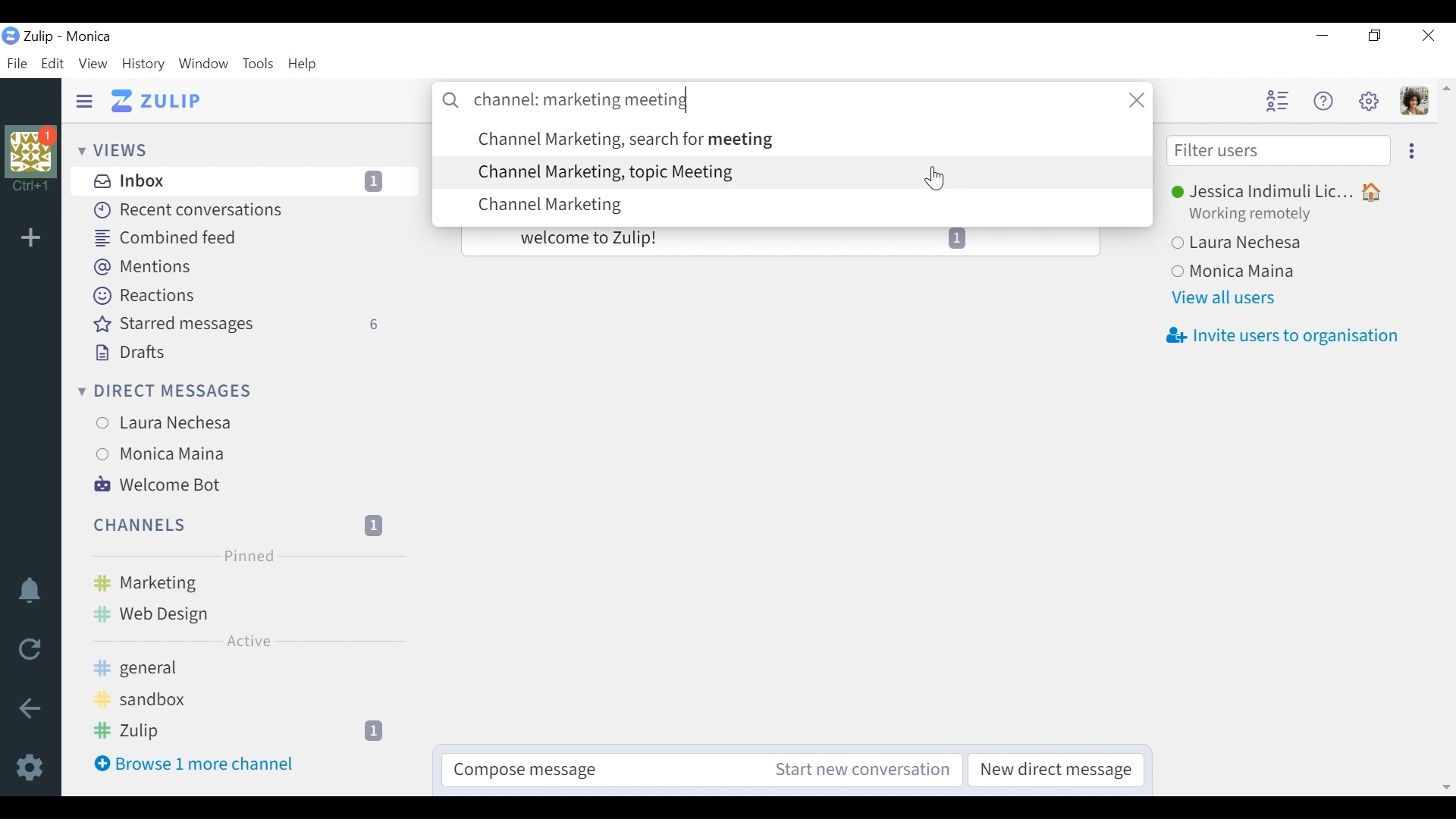  What do you see at coordinates (244, 613) in the screenshot?
I see `Web Design` at bounding box center [244, 613].